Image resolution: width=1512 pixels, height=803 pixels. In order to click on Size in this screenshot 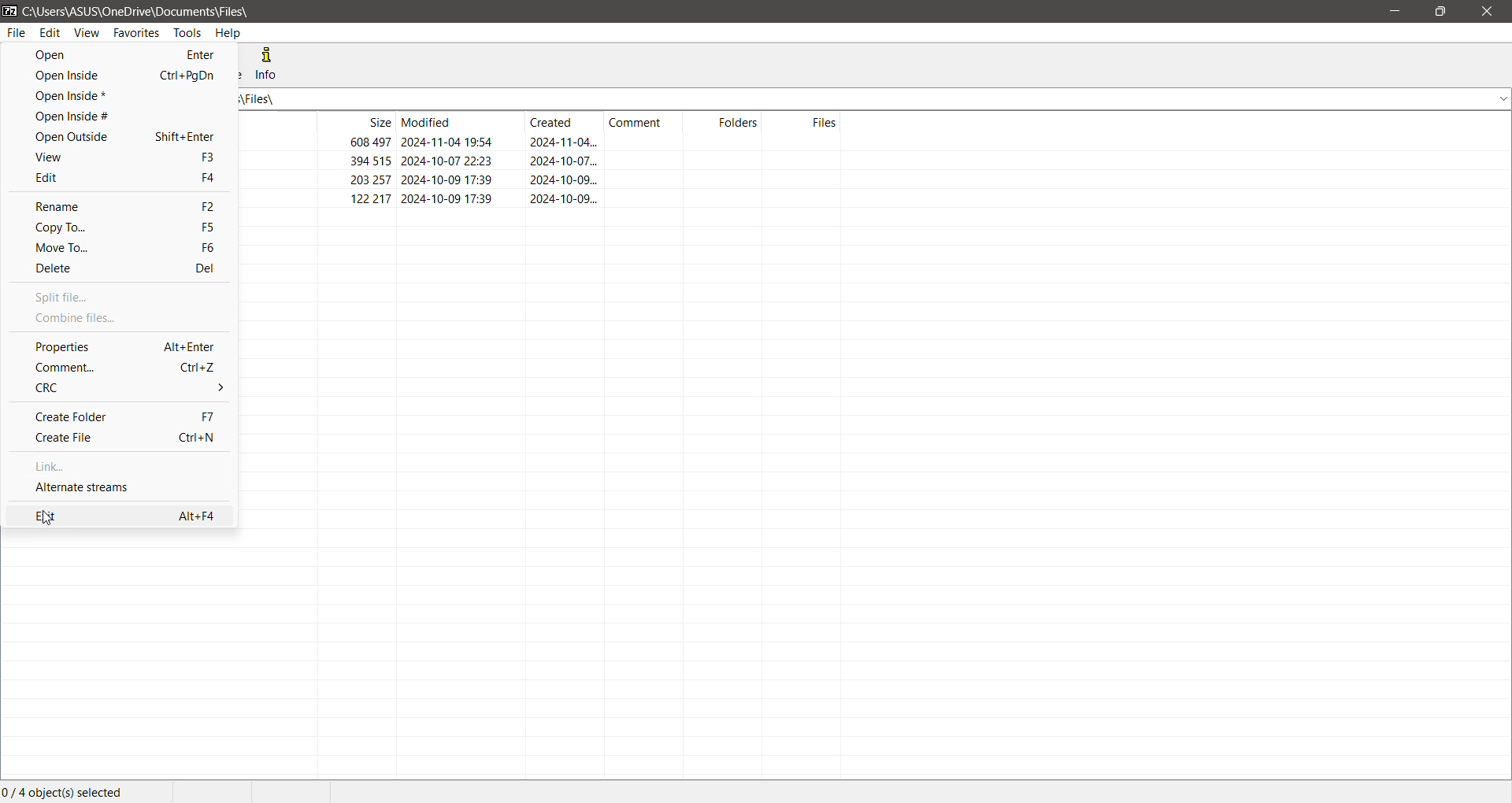, I will do `click(368, 122)`.